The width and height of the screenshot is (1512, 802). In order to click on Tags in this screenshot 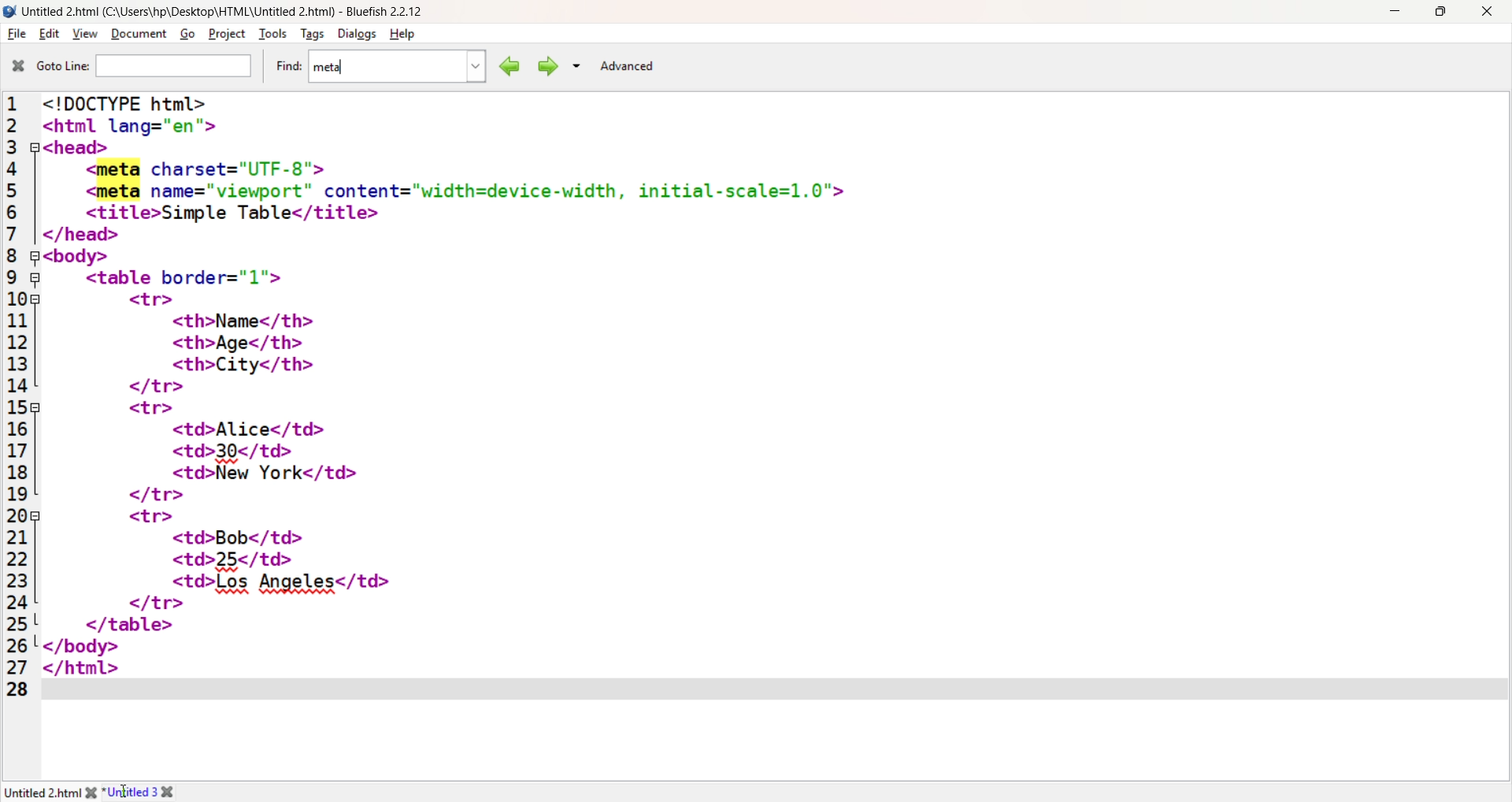, I will do `click(310, 34)`.